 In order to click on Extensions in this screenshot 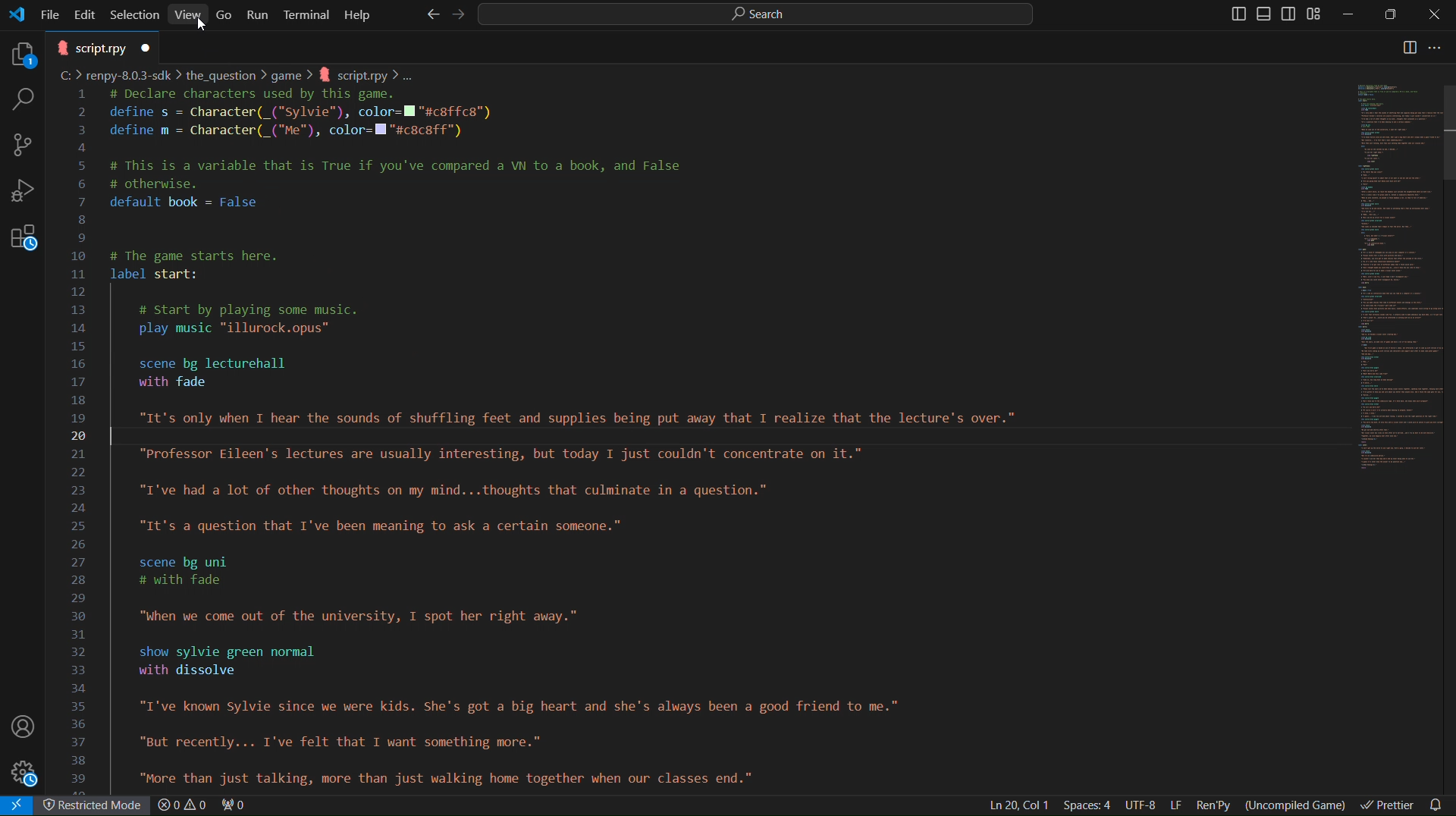, I will do `click(23, 244)`.